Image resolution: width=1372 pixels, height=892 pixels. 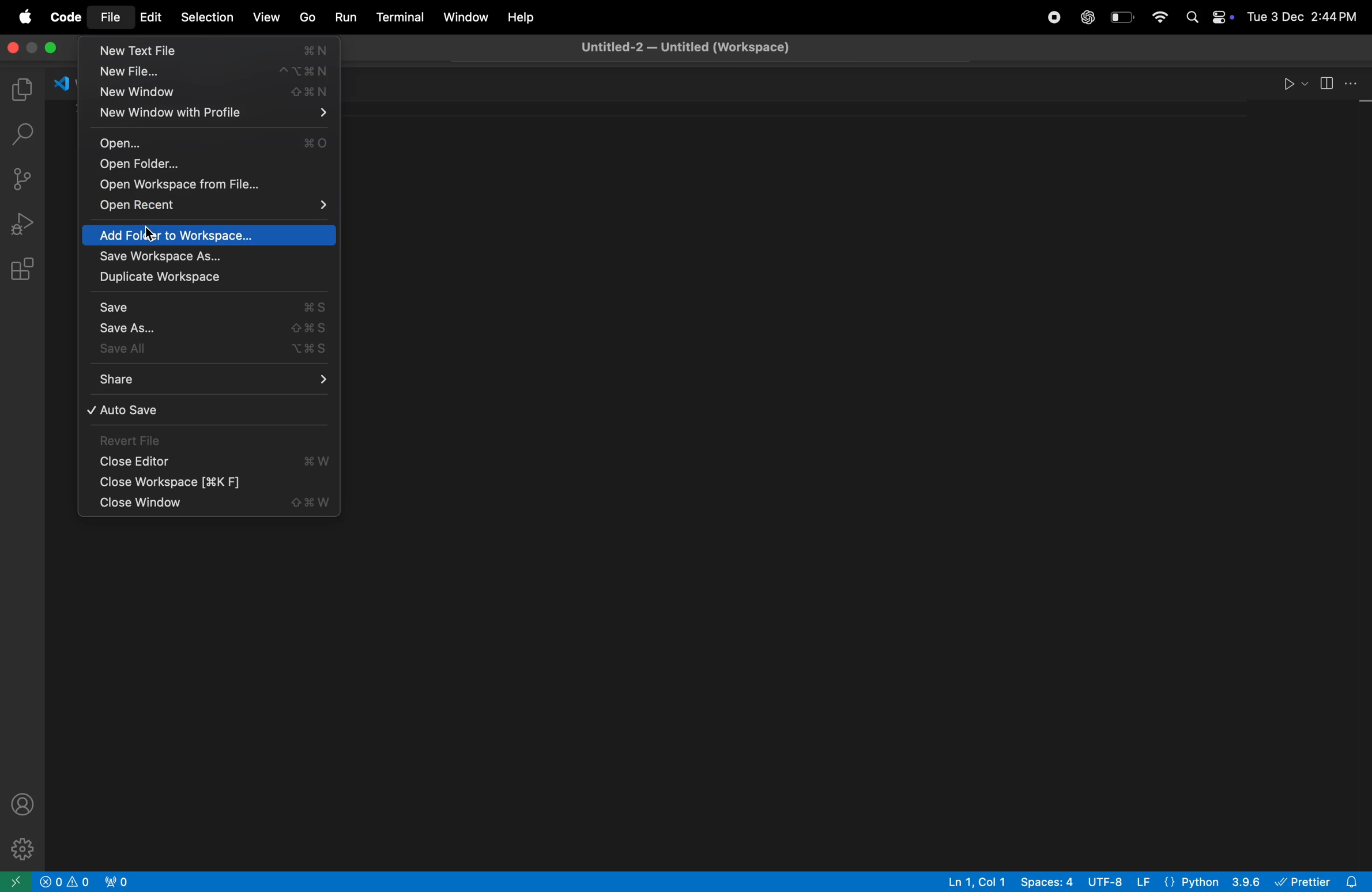 What do you see at coordinates (213, 347) in the screenshot?
I see `save all` at bounding box center [213, 347].